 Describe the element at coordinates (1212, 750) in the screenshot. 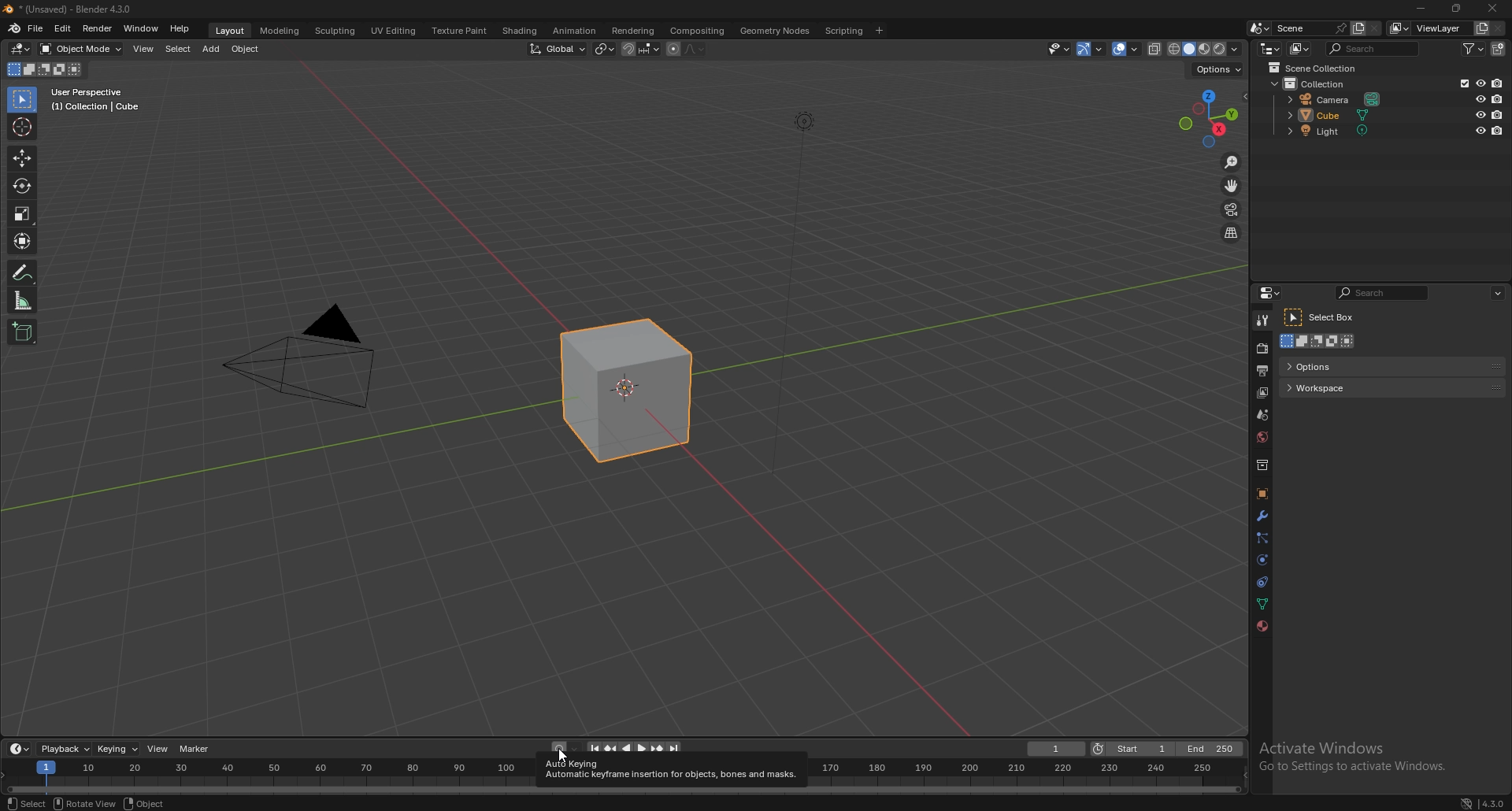

I see `end` at that location.